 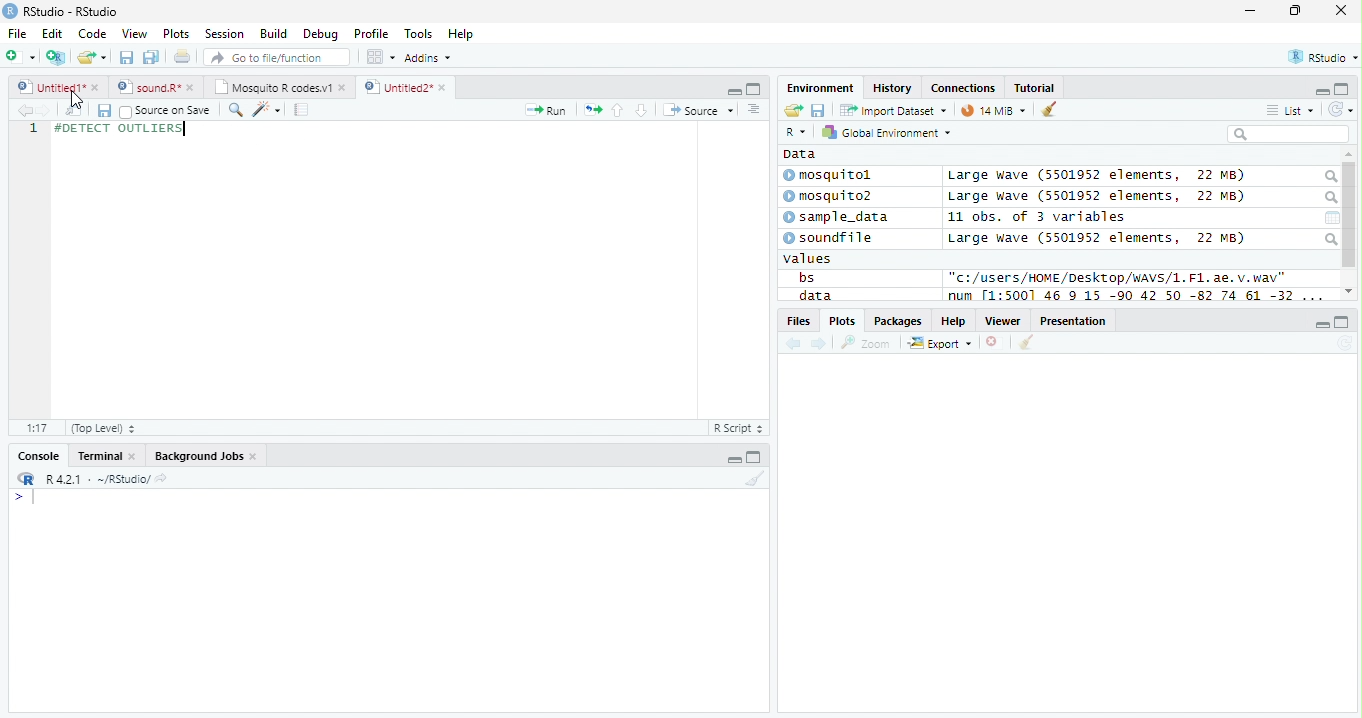 I want to click on go forward, so click(x=820, y=345).